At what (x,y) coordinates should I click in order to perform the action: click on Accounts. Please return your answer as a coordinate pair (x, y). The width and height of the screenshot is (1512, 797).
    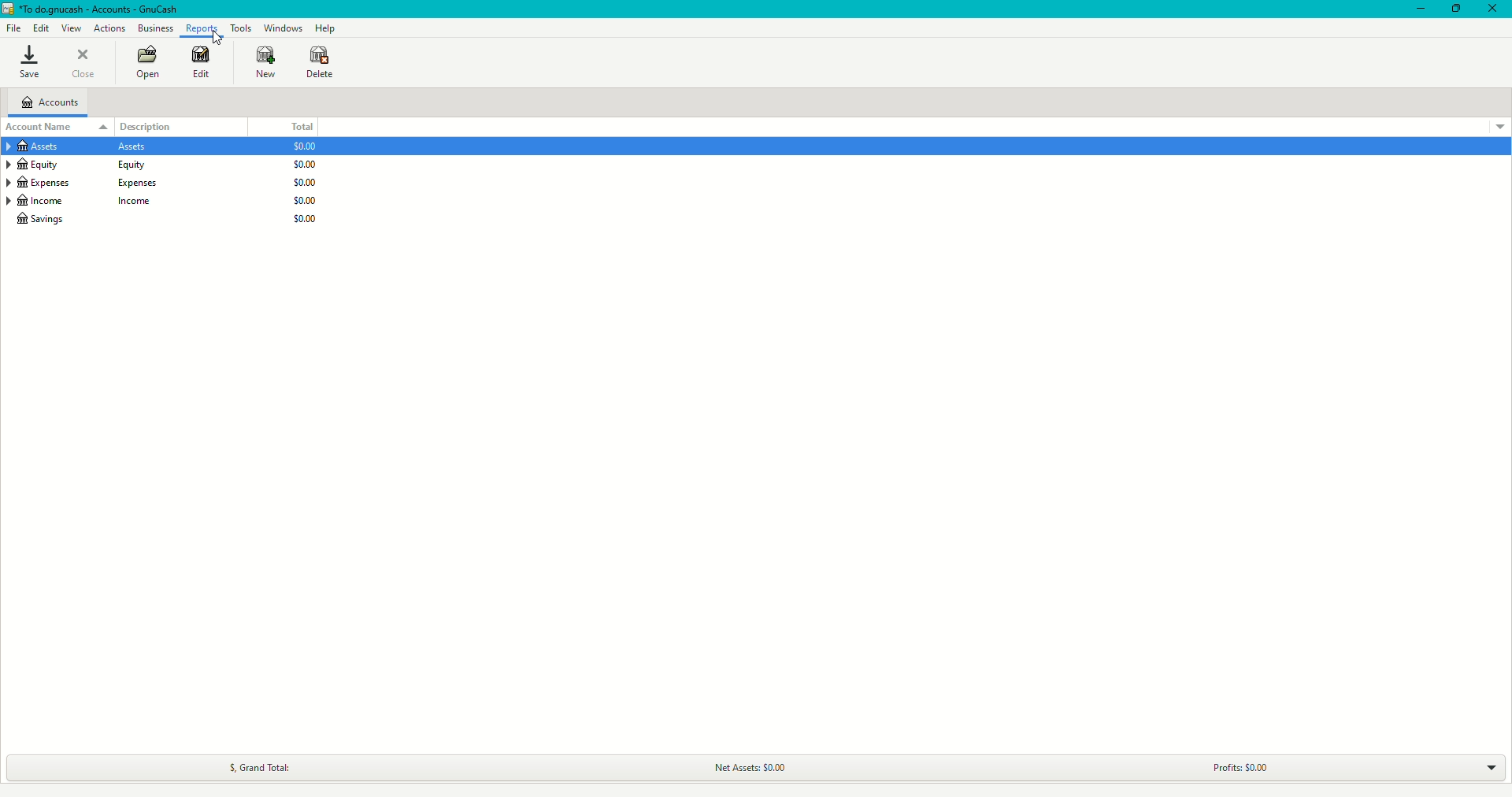
    Looking at the image, I should click on (54, 102).